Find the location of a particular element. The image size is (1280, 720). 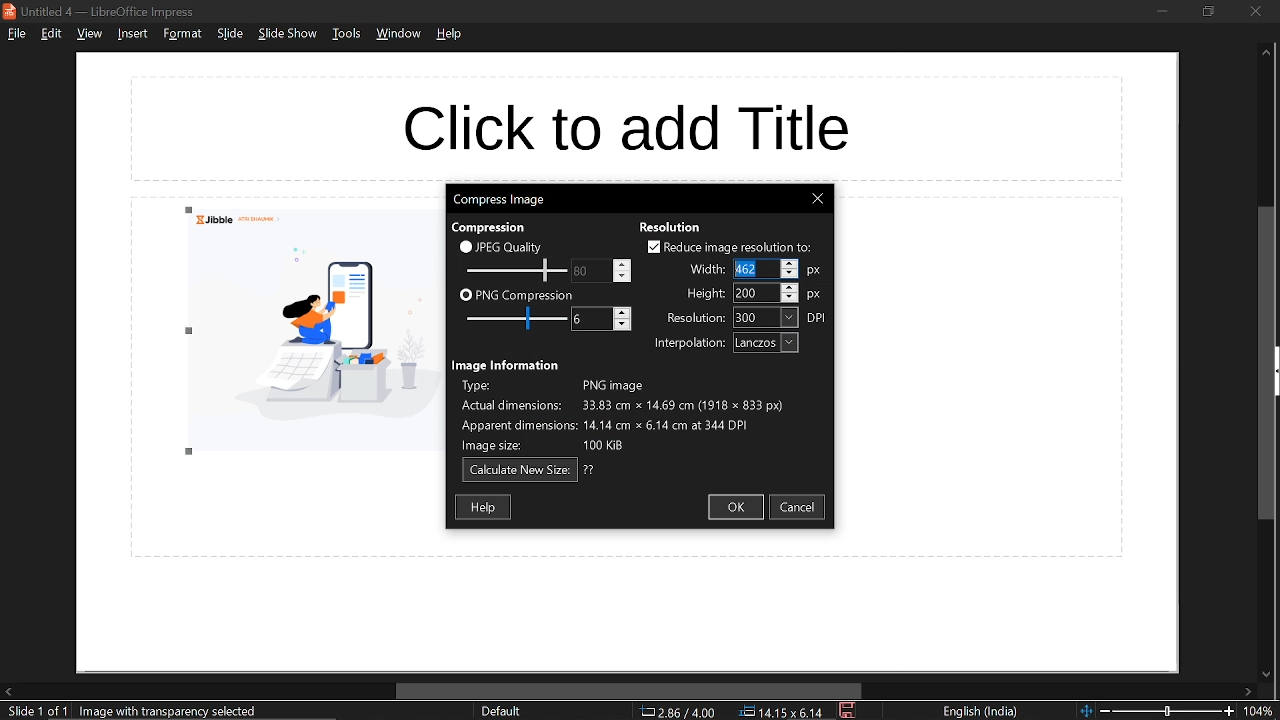

resolution is located at coordinates (671, 227).